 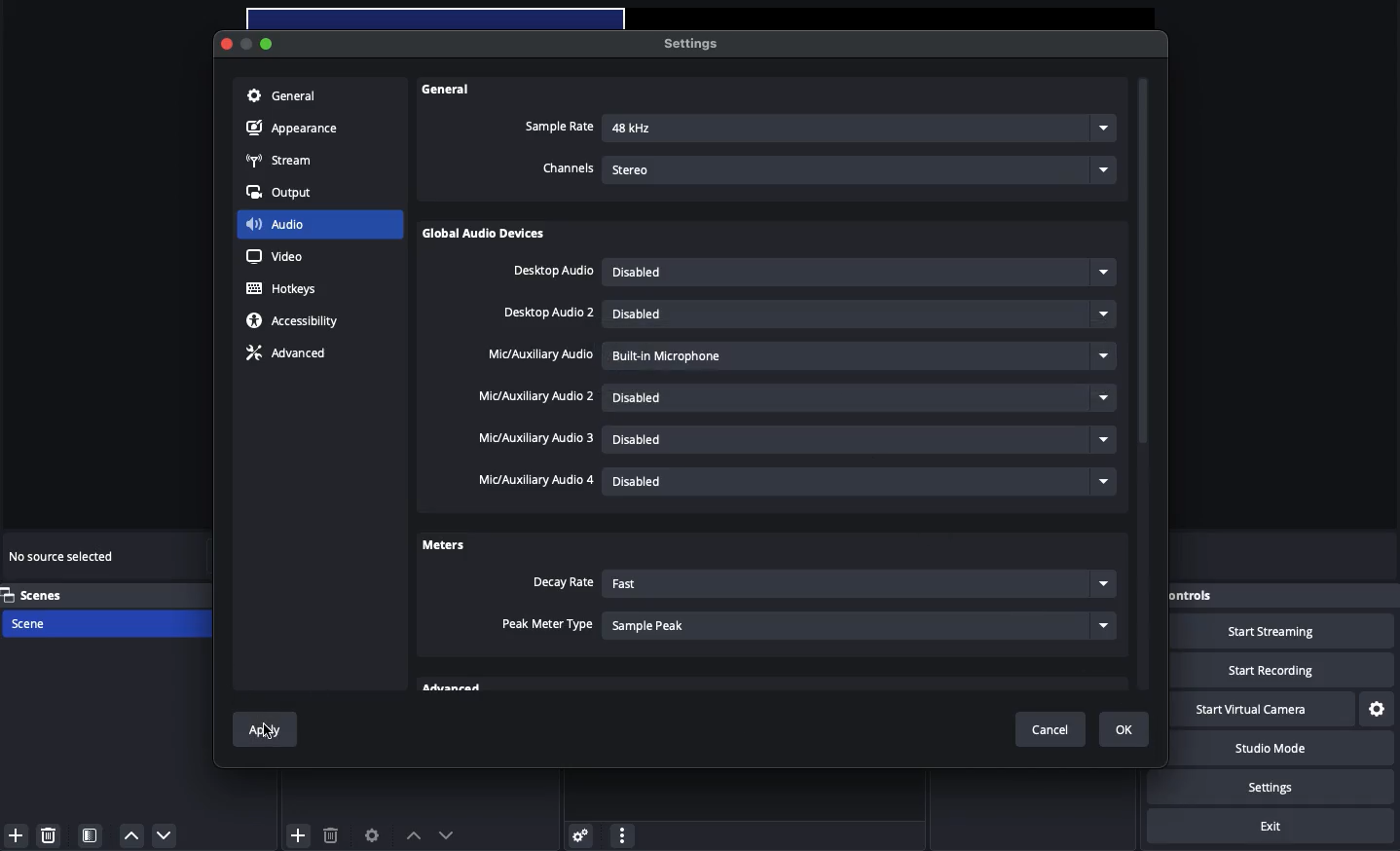 What do you see at coordinates (553, 272) in the screenshot?
I see `Desktop audio` at bounding box center [553, 272].